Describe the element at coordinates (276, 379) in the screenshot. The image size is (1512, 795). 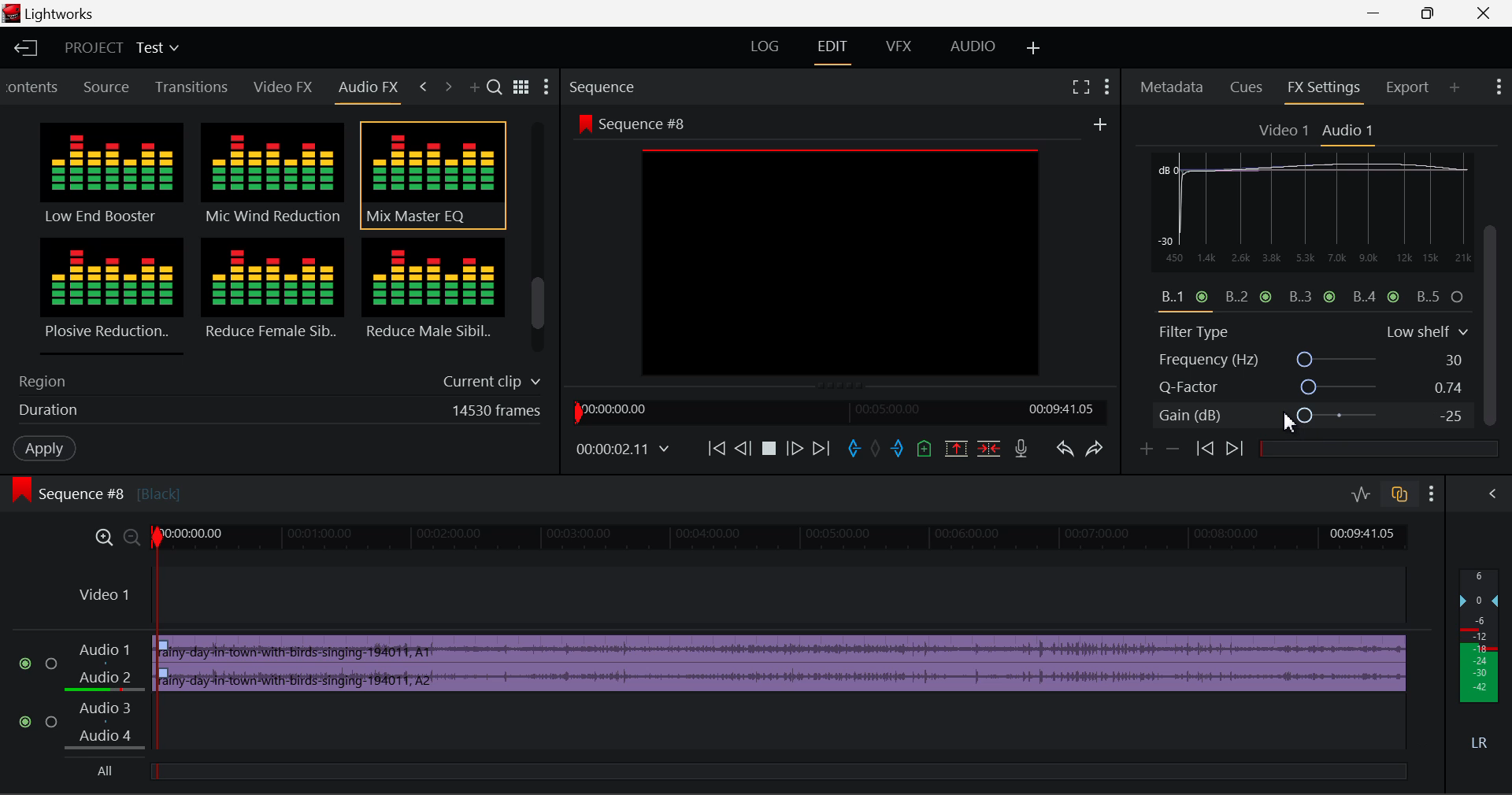
I see `Region` at that location.